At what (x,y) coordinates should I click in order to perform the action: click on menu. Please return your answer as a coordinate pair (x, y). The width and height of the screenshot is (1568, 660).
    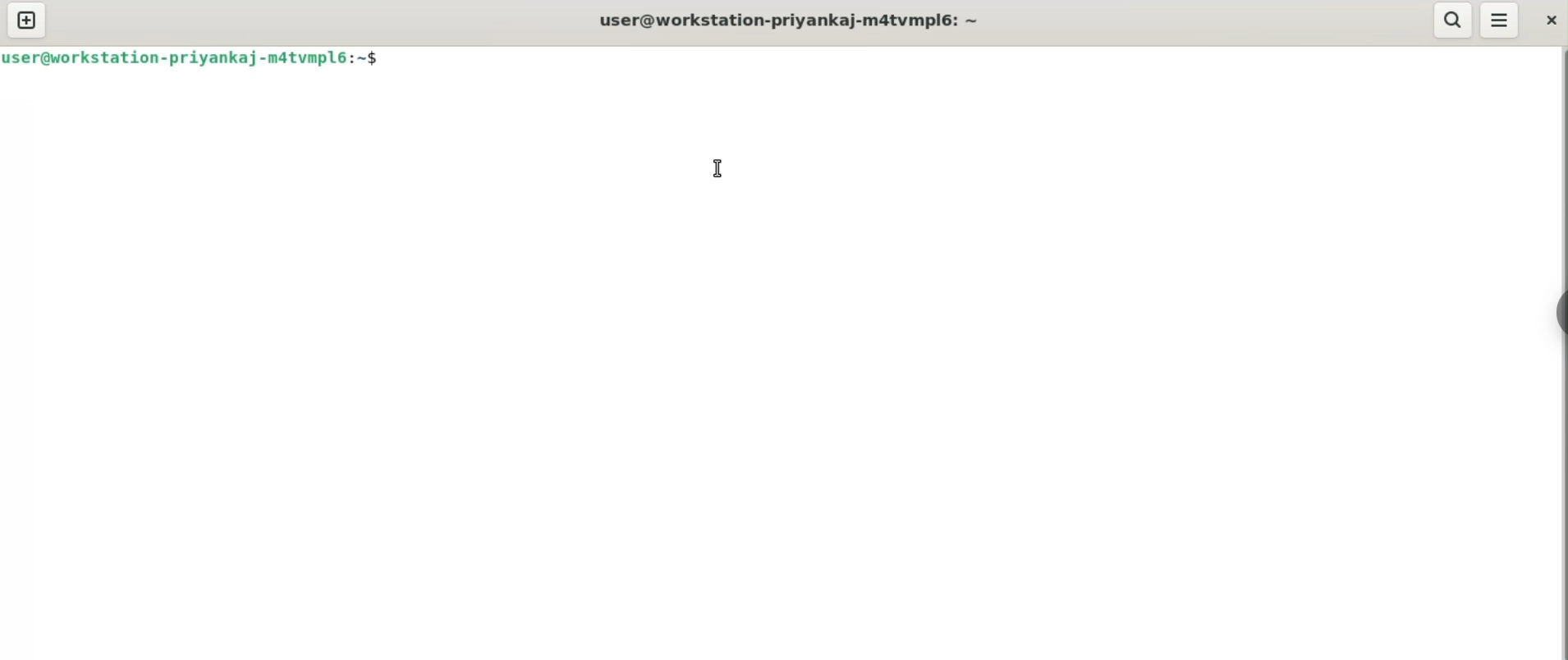
    Looking at the image, I should click on (1501, 20).